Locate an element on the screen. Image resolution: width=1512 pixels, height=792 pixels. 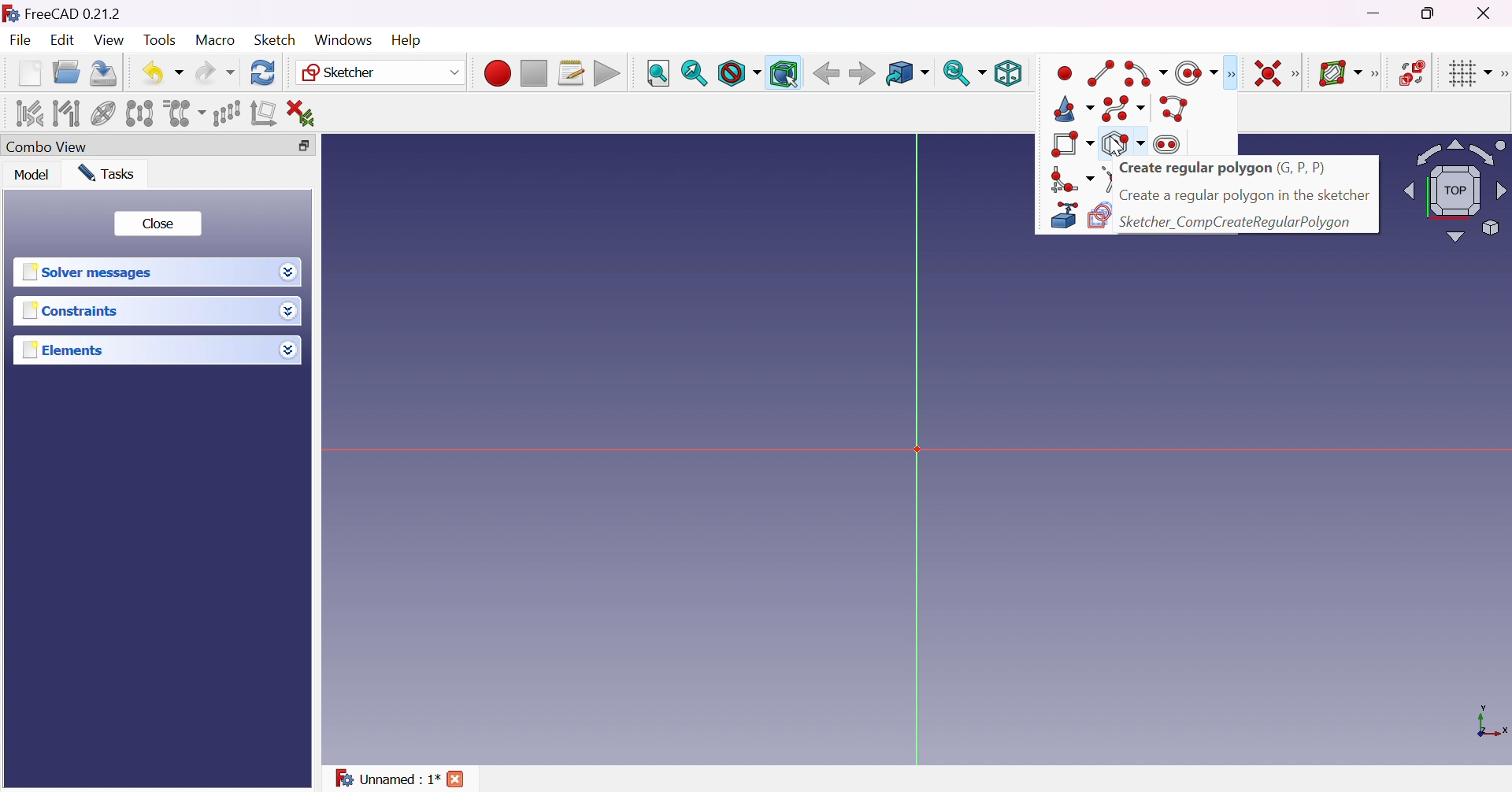
Remove axis alignment is located at coordinates (265, 112).